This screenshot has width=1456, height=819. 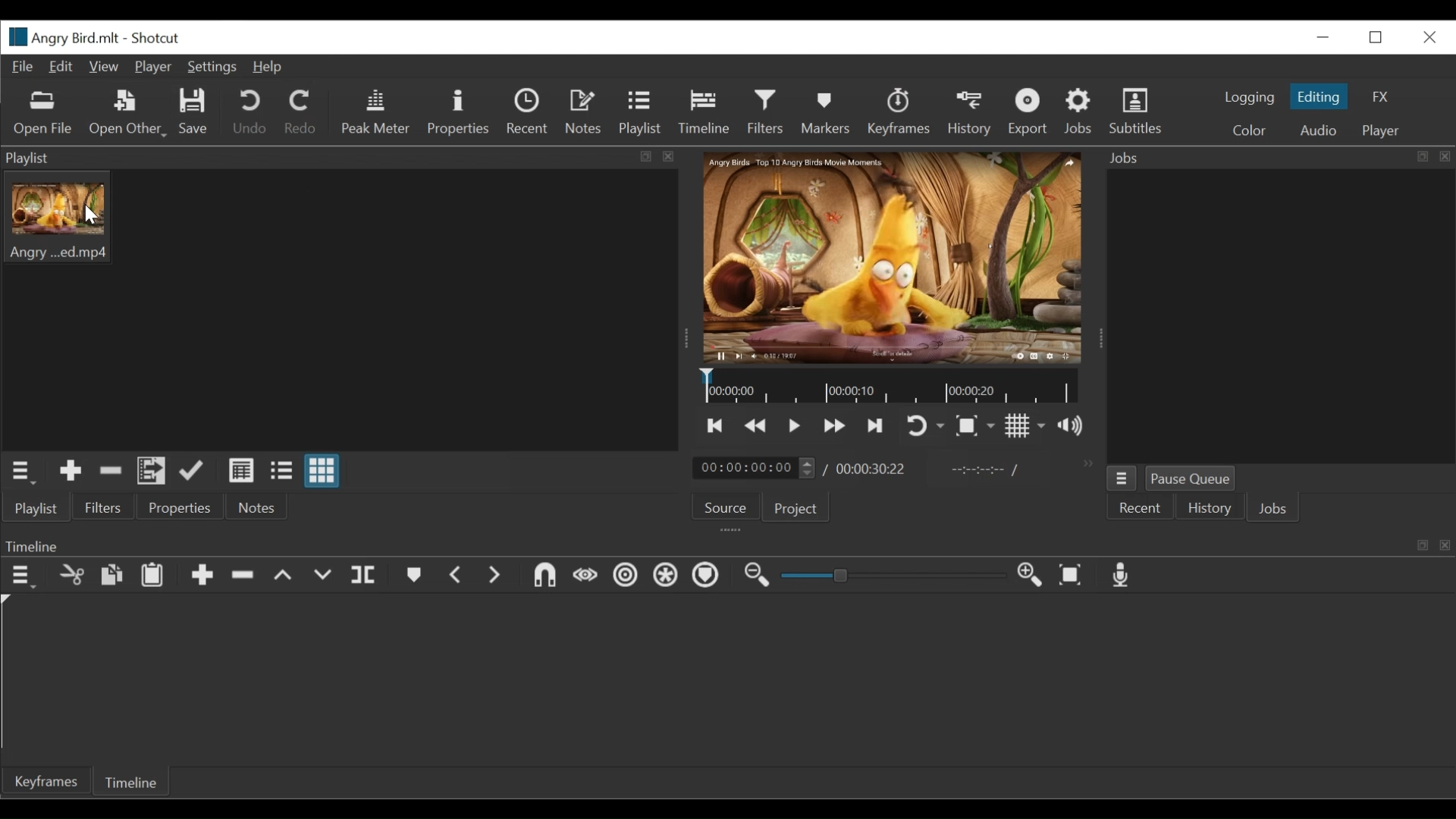 What do you see at coordinates (1030, 111) in the screenshot?
I see `Export` at bounding box center [1030, 111].